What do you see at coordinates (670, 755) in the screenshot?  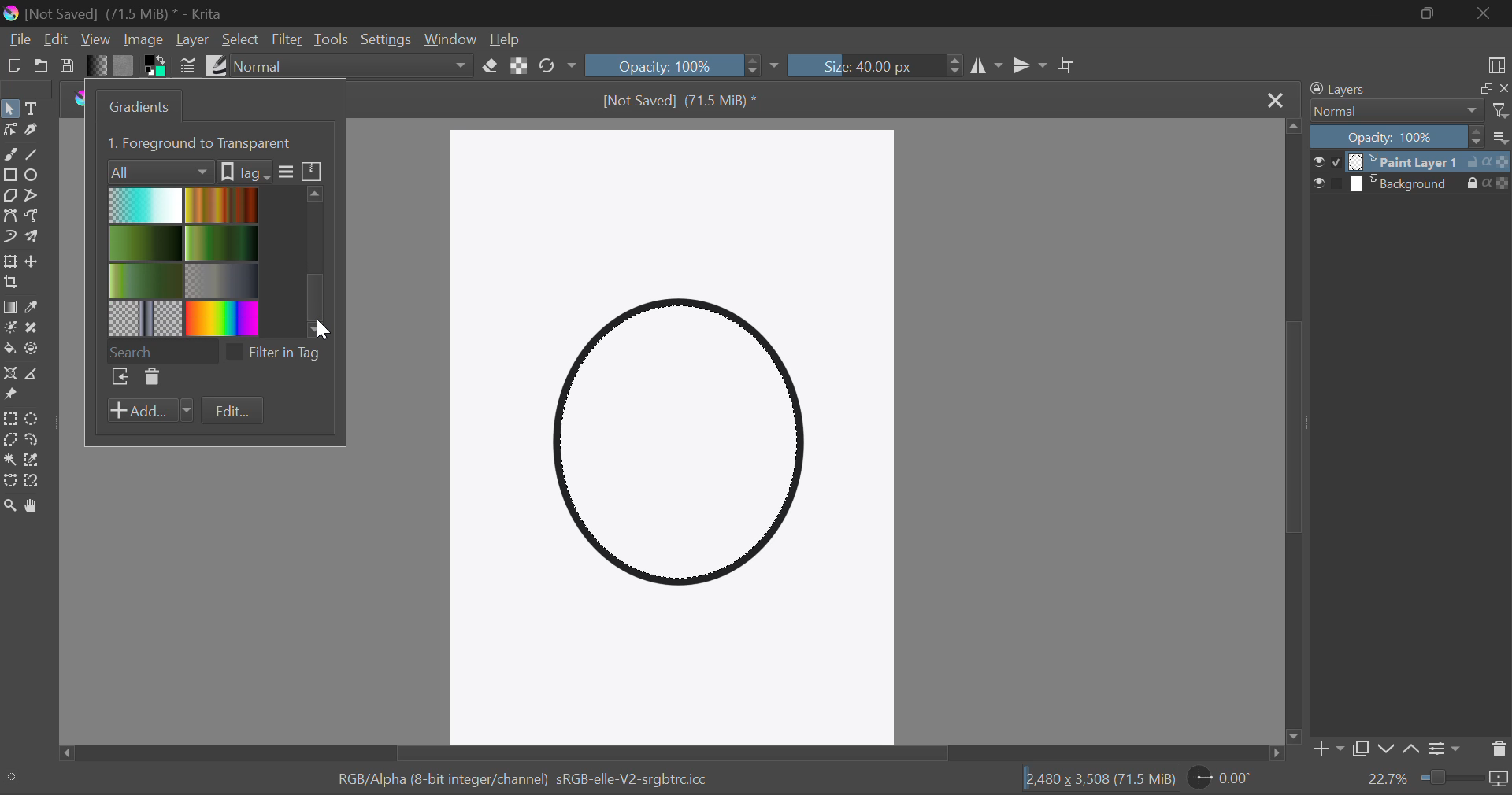 I see `Scroll Bar` at bounding box center [670, 755].